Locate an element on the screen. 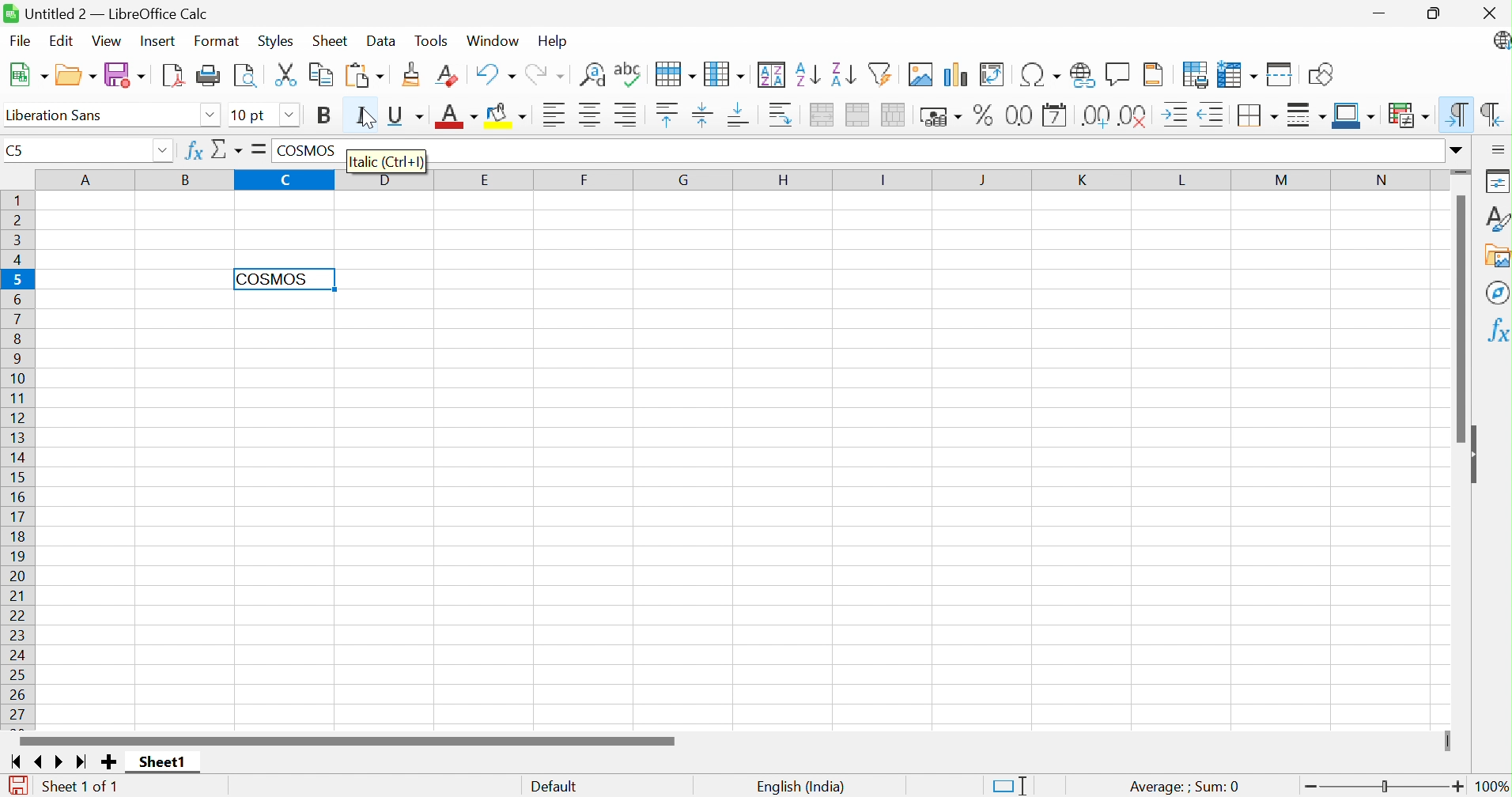 This screenshot has height=797, width=1512. Auto filter is located at coordinates (880, 74).